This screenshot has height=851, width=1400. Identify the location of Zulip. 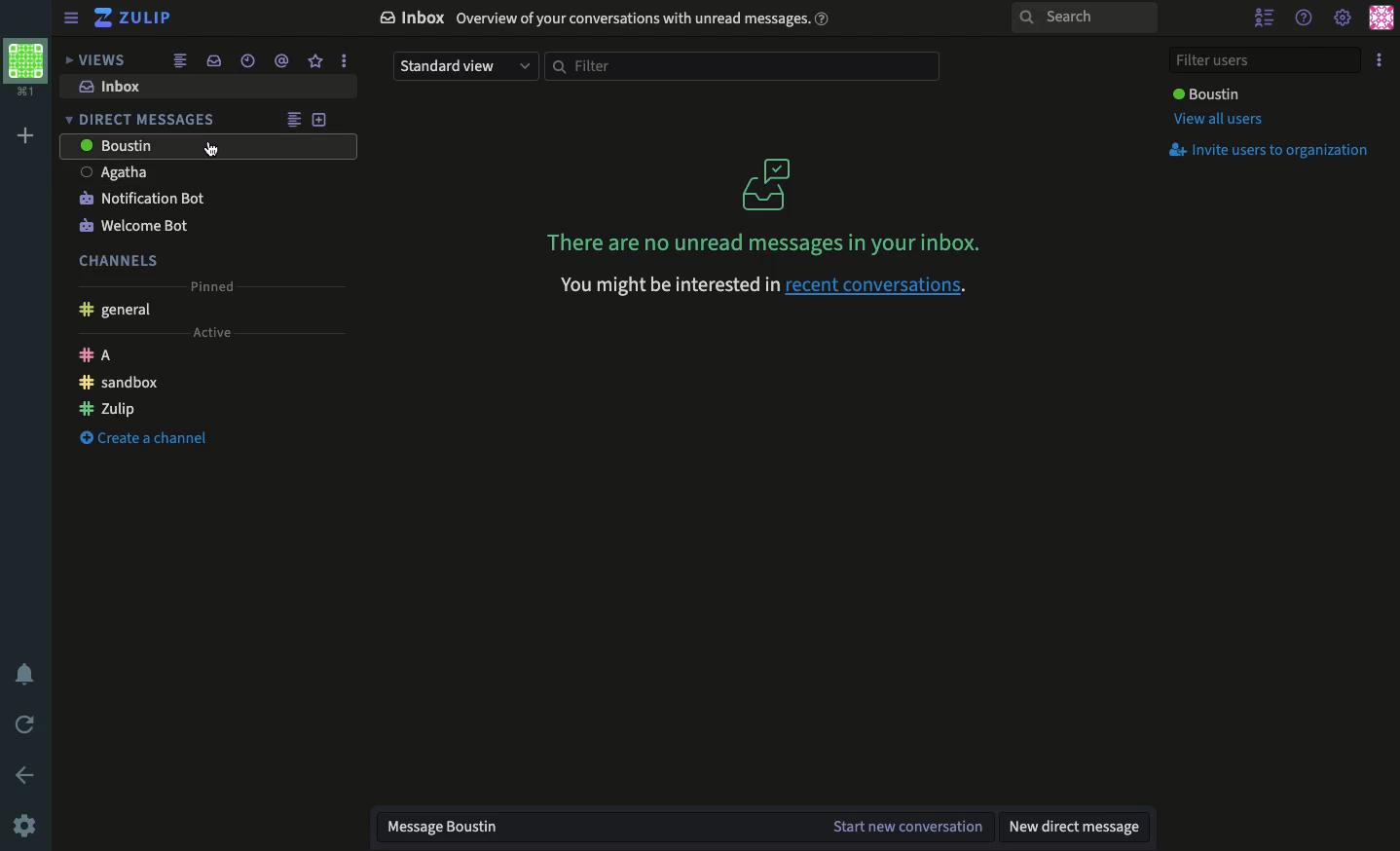
(109, 408).